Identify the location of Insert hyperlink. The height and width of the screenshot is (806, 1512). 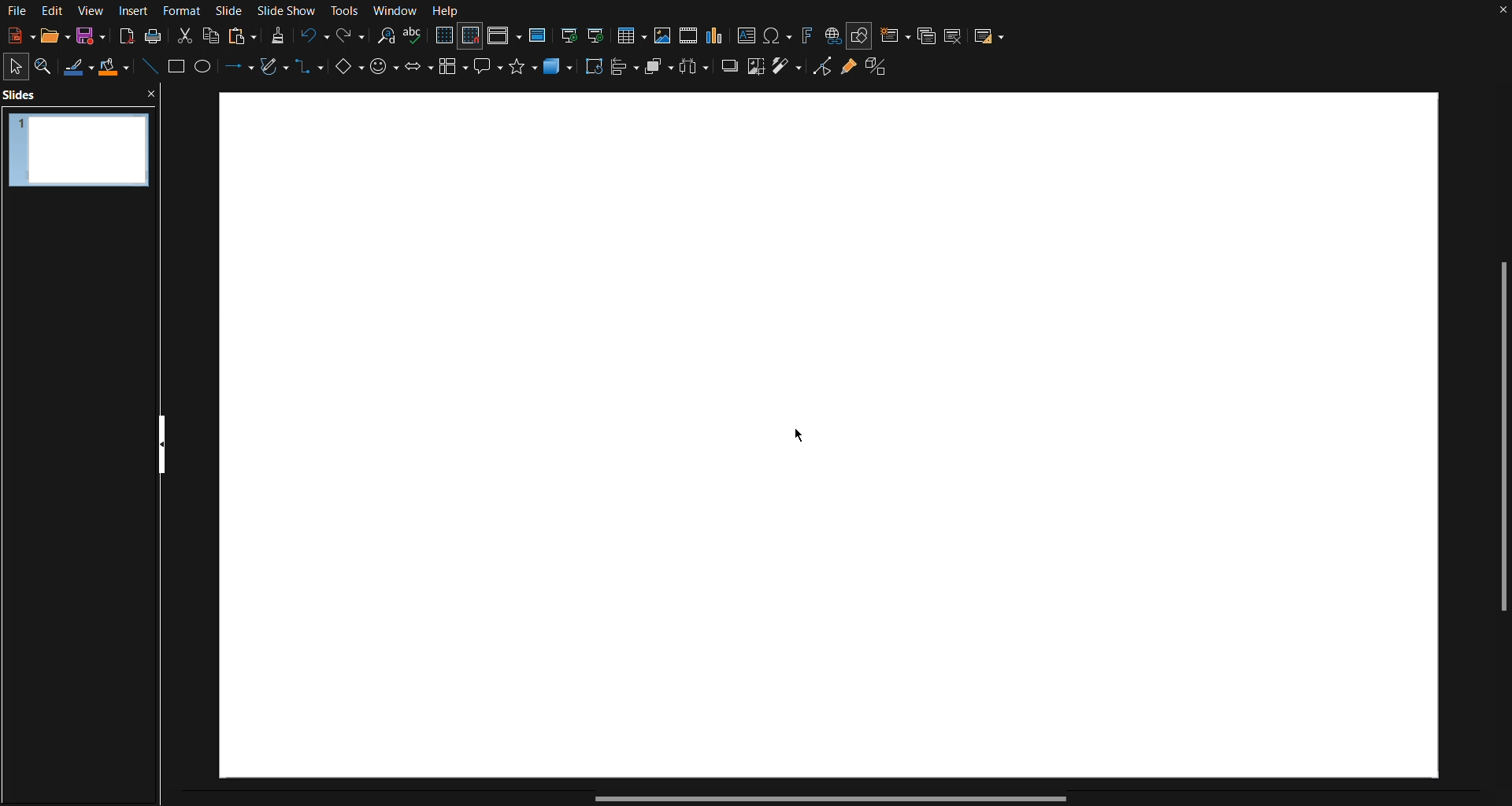
(832, 35).